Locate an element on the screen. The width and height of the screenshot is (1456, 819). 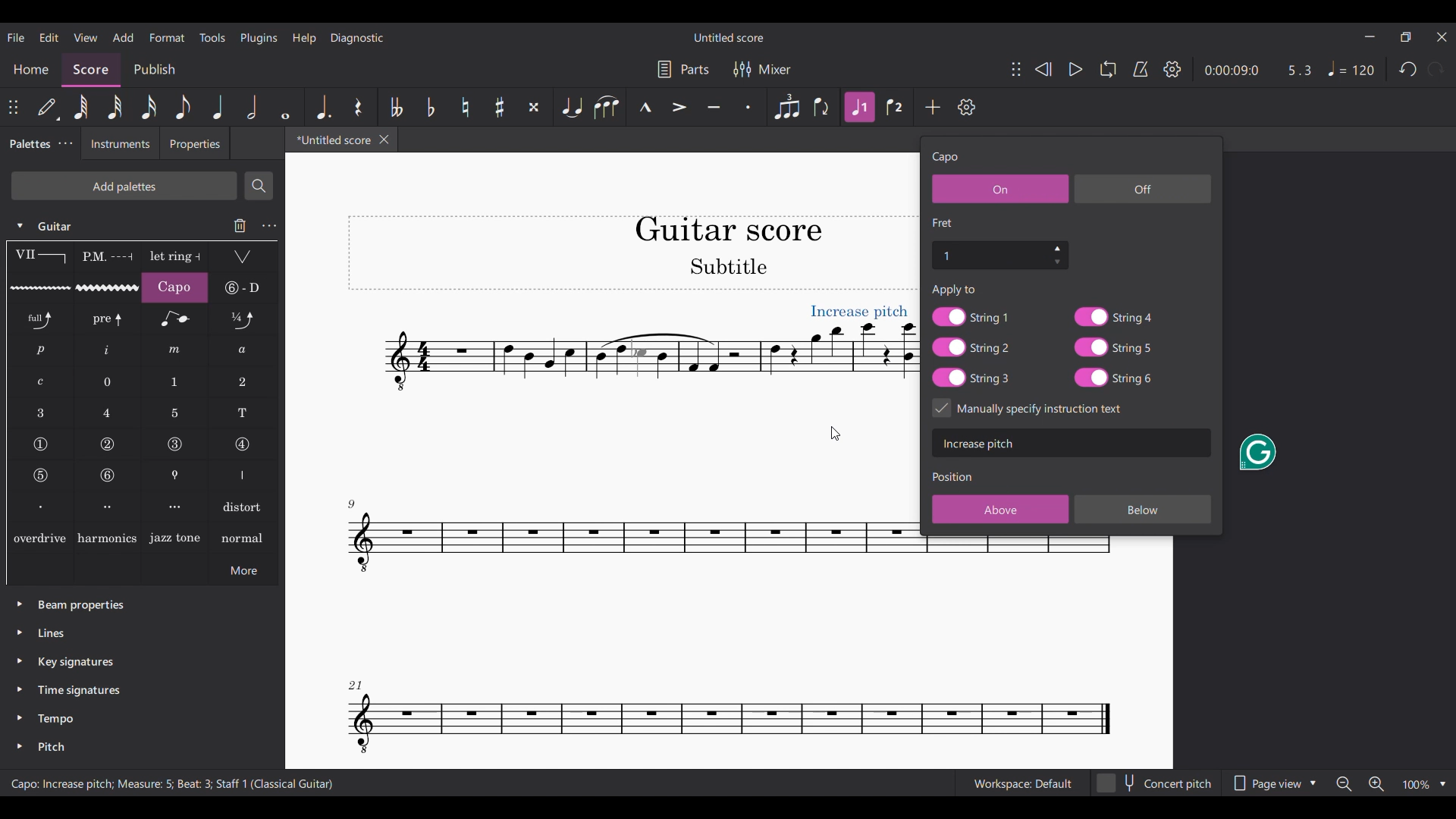
LH guitar fingering T is located at coordinates (243, 413).